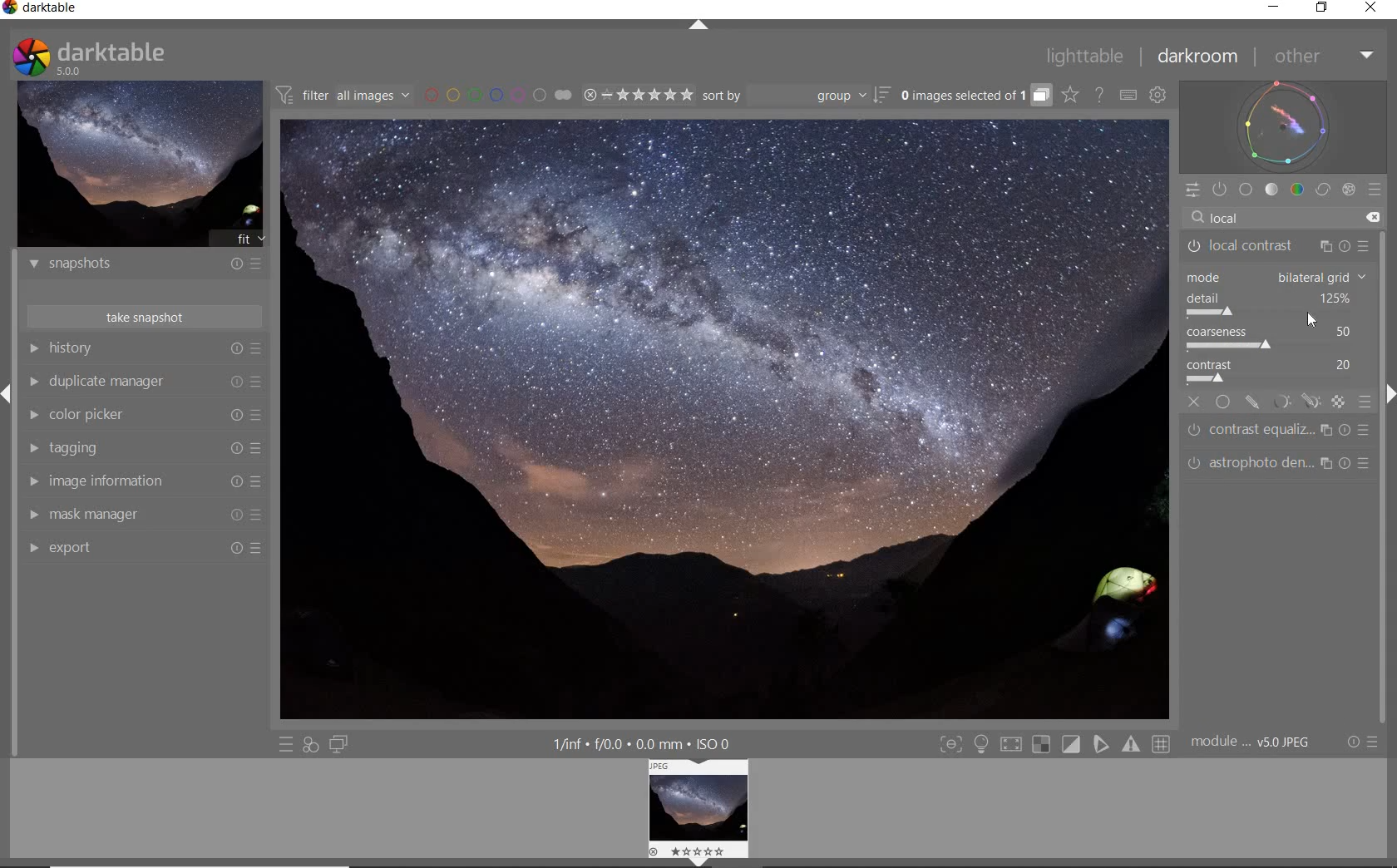 Image resolution: width=1397 pixels, height=868 pixels. What do you see at coordinates (111, 57) in the screenshot?
I see `darktable 5.0.0` at bounding box center [111, 57].